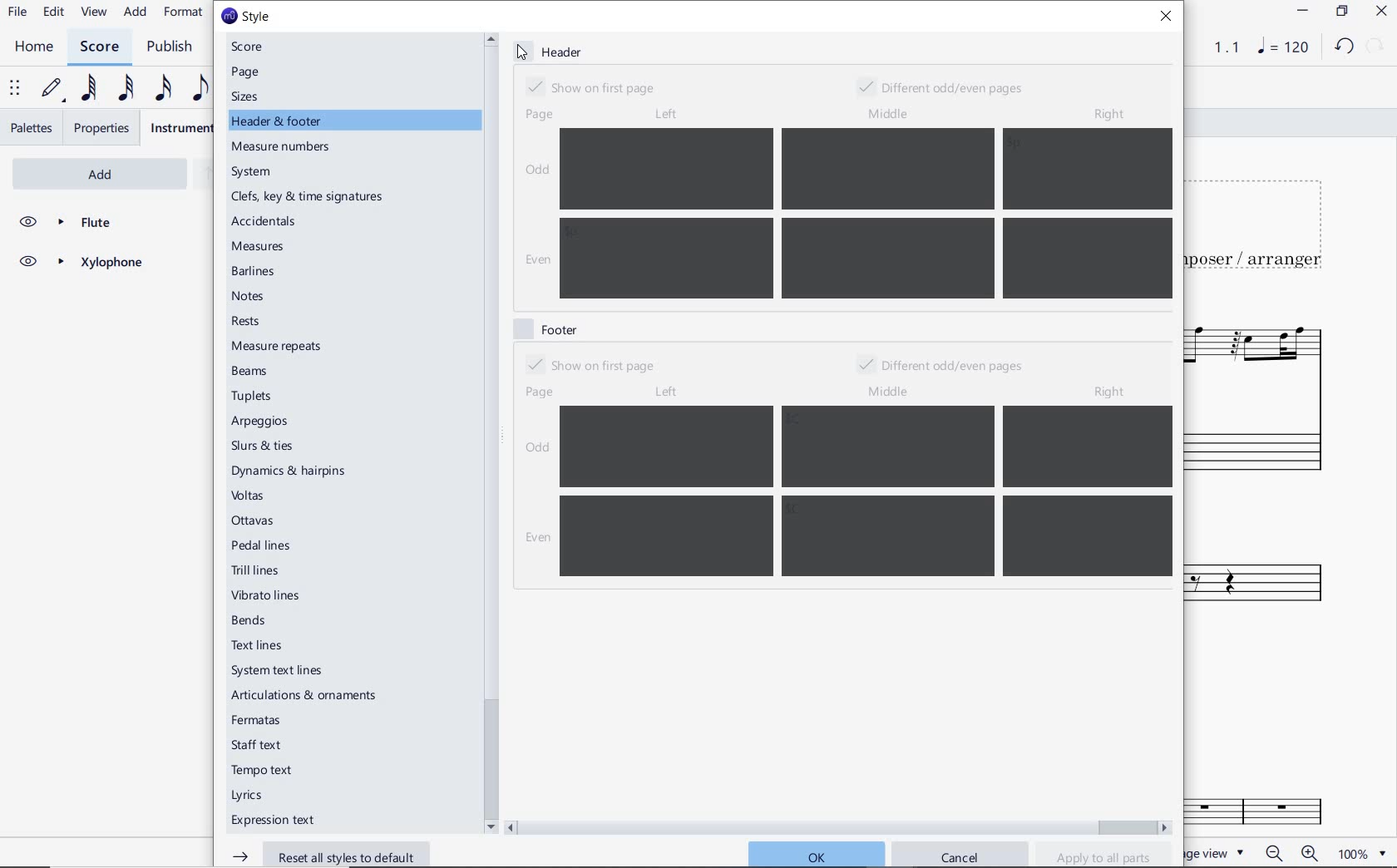 This screenshot has width=1397, height=868. I want to click on text lines, so click(258, 645).